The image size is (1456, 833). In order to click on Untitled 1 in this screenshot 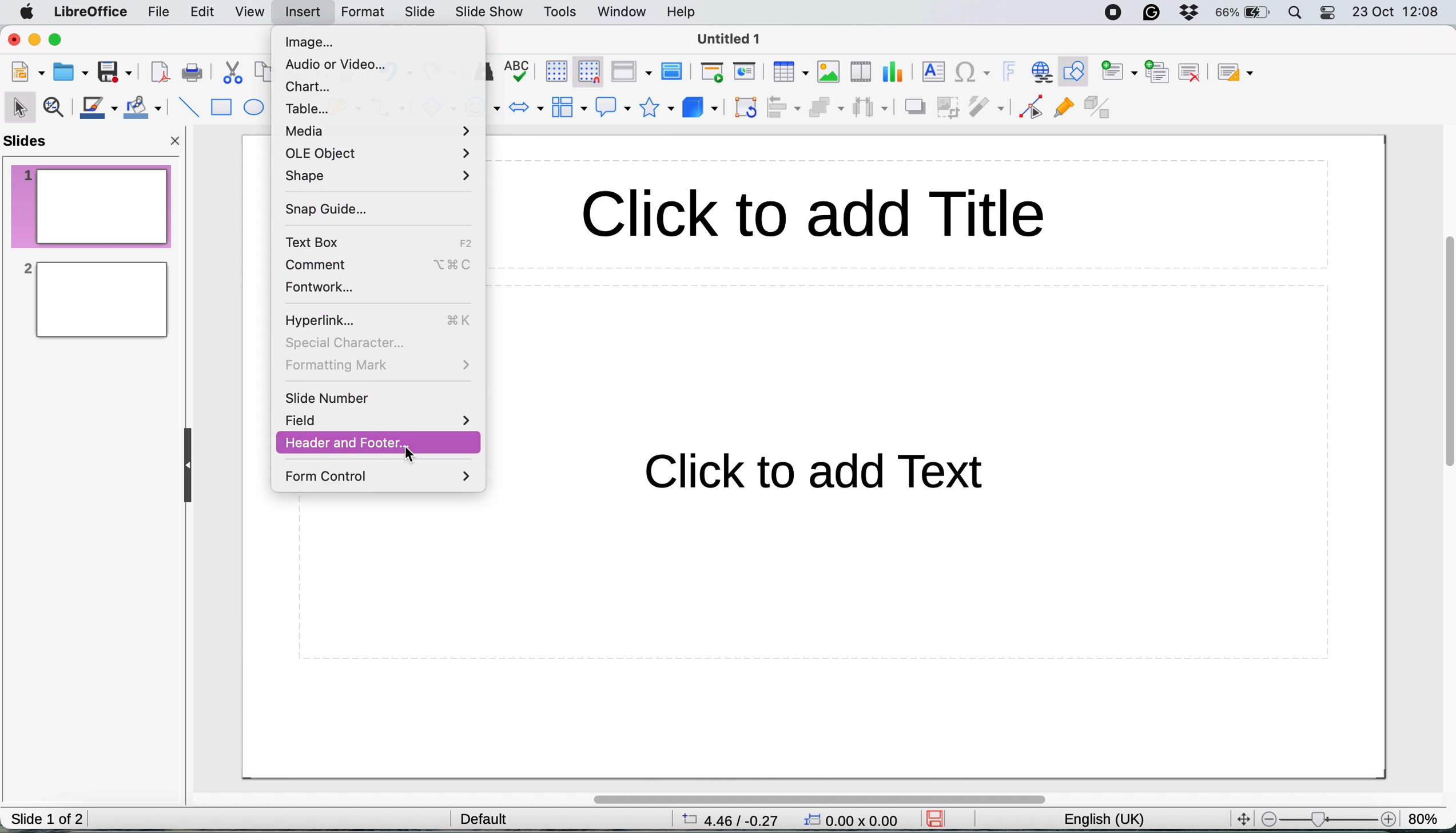, I will do `click(730, 39)`.